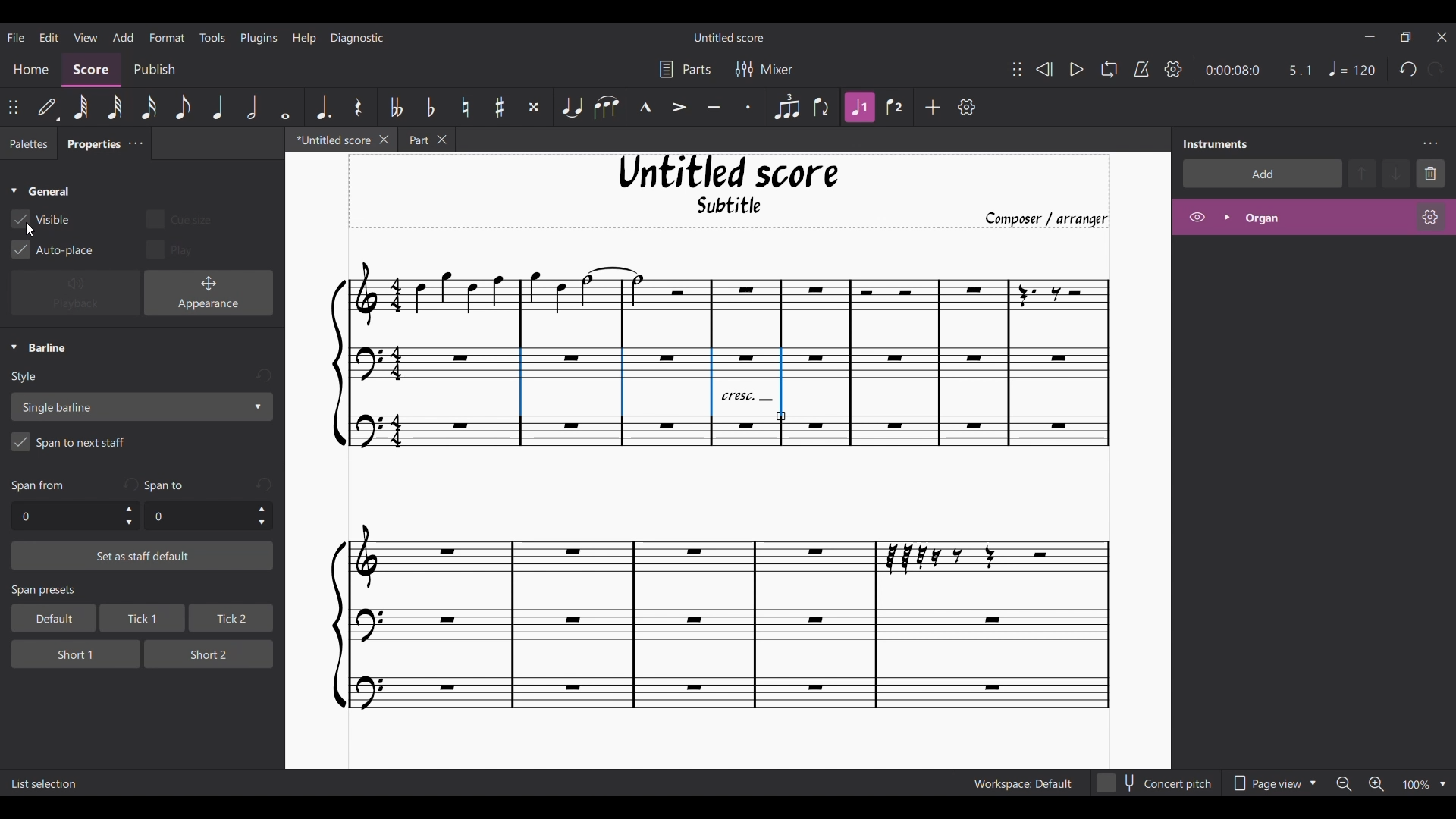 The width and height of the screenshot is (1456, 819). Describe the element at coordinates (358, 37) in the screenshot. I see `Diagnostic menu` at that location.